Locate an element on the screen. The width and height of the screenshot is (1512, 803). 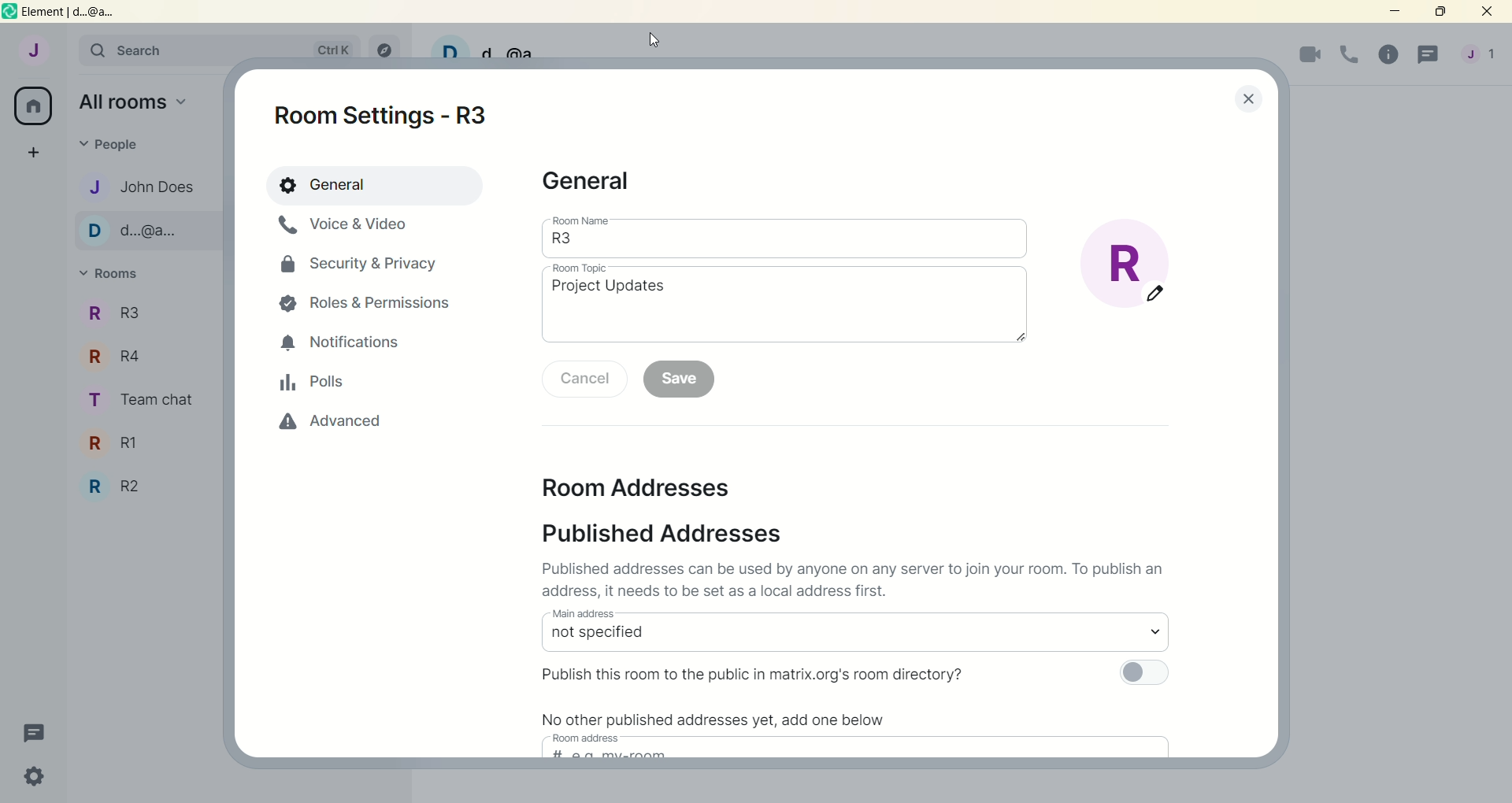
published addresses is located at coordinates (654, 535).